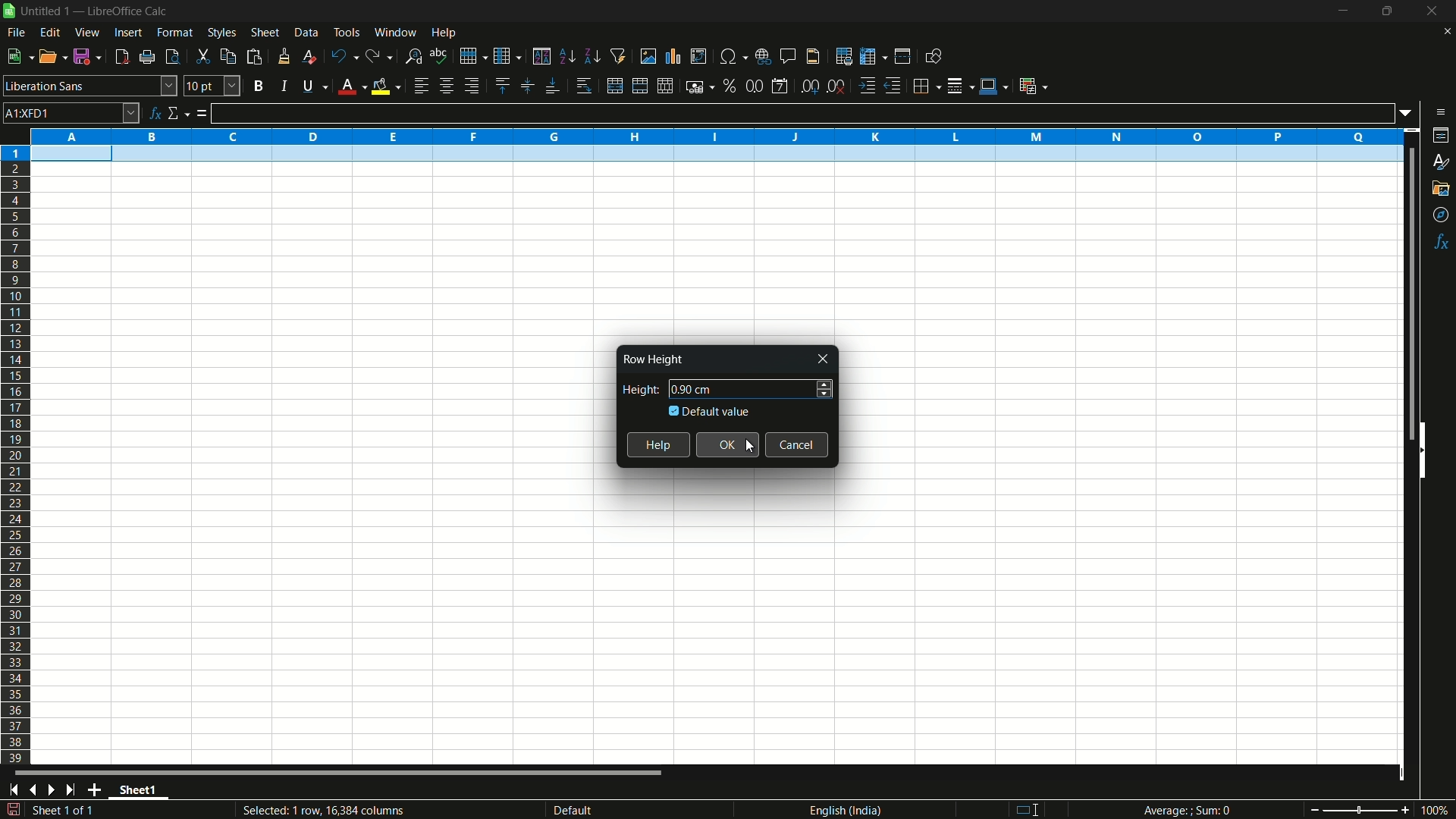 The height and width of the screenshot is (819, 1456). What do you see at coordinates (1188, 811) in the screenshot?
I see `Average; Sum 0` at bounding box center [1188, 811].